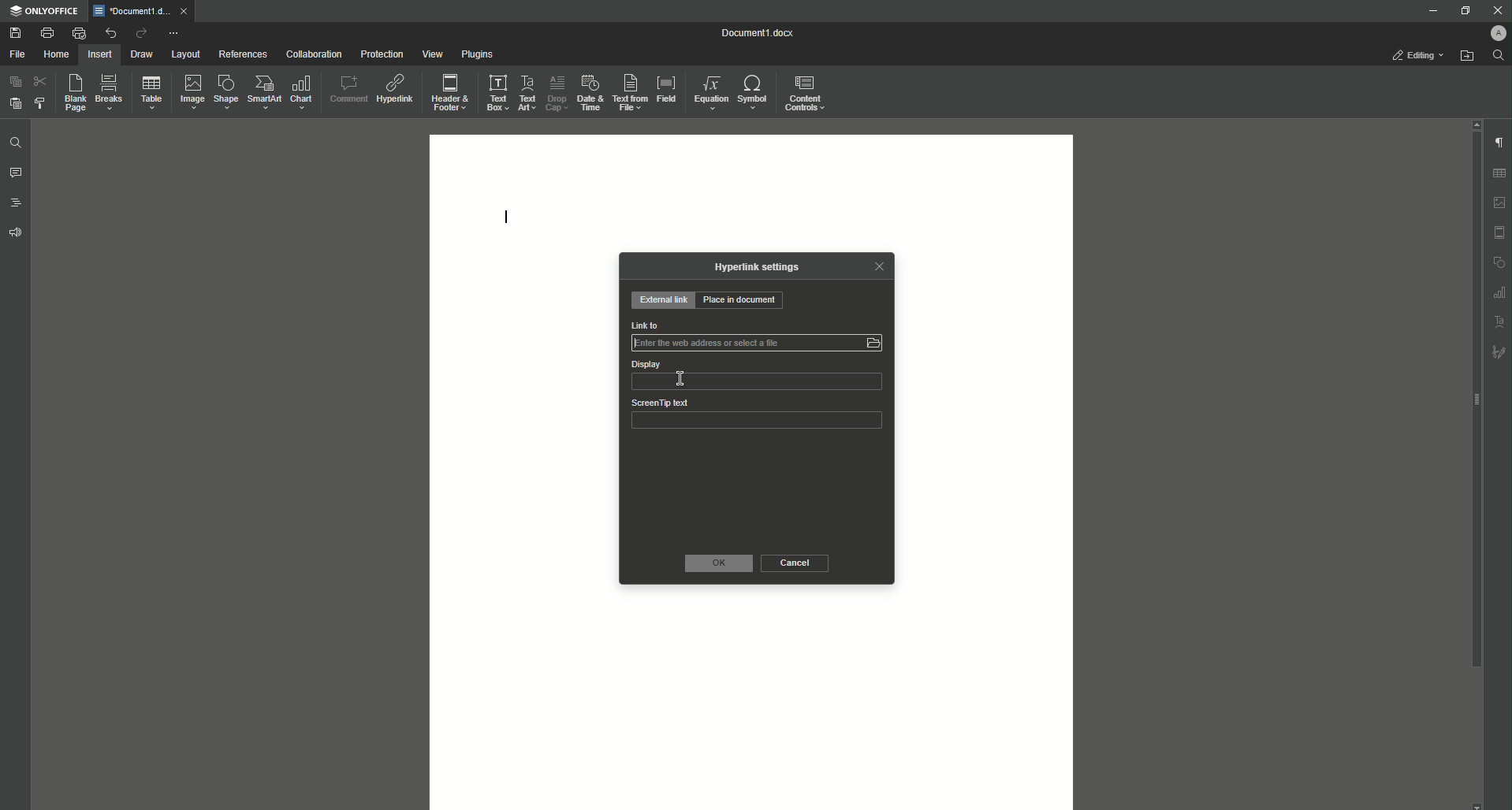 The height and width of the screenshot is (810, 1512). Describe the element at coordinates (396, 91) in the screenshot. I see `Hyperlink` at that location.